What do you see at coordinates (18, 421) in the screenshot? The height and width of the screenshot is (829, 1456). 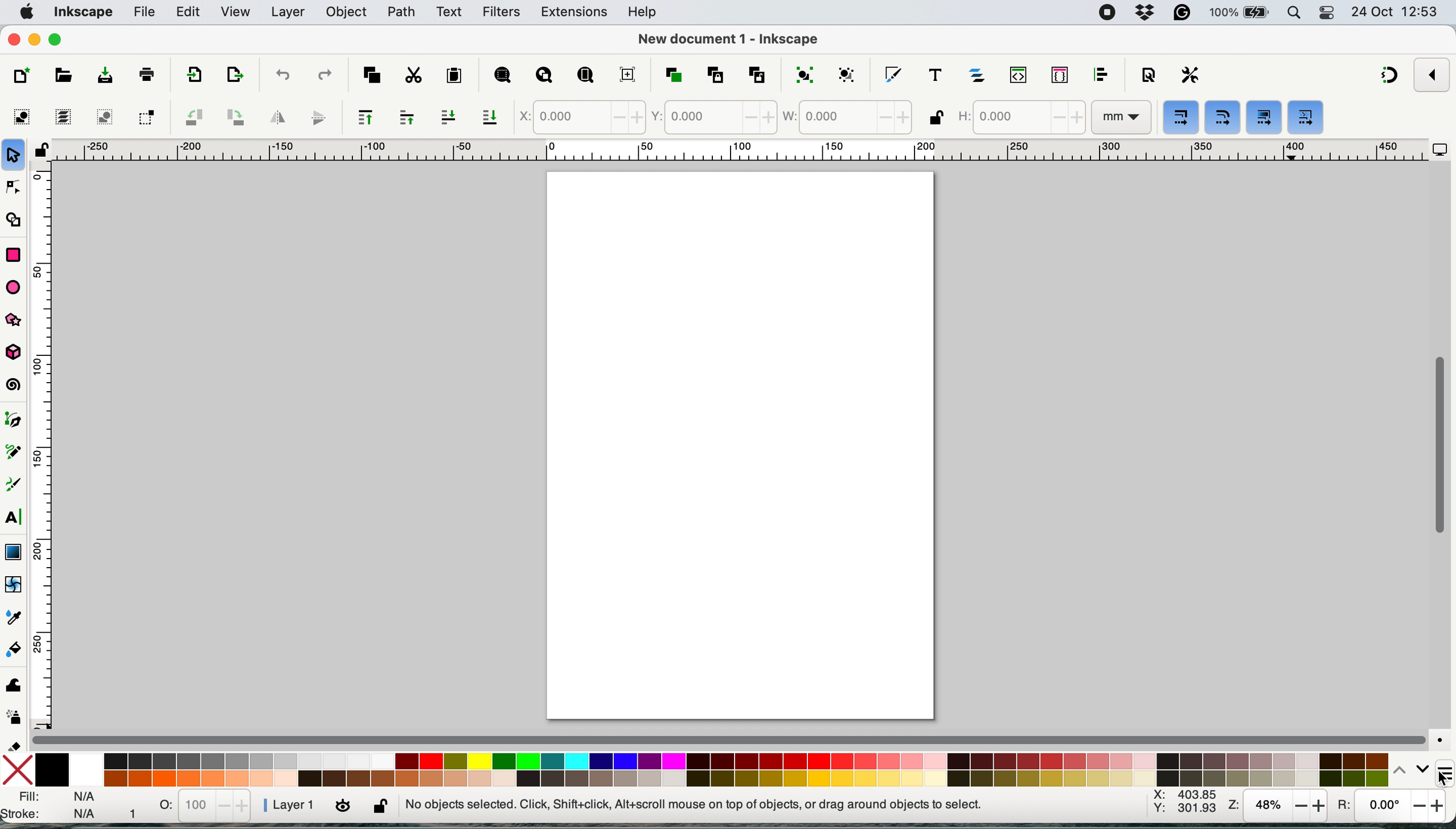 I see `pen tool` at bounding box center [18, 421].